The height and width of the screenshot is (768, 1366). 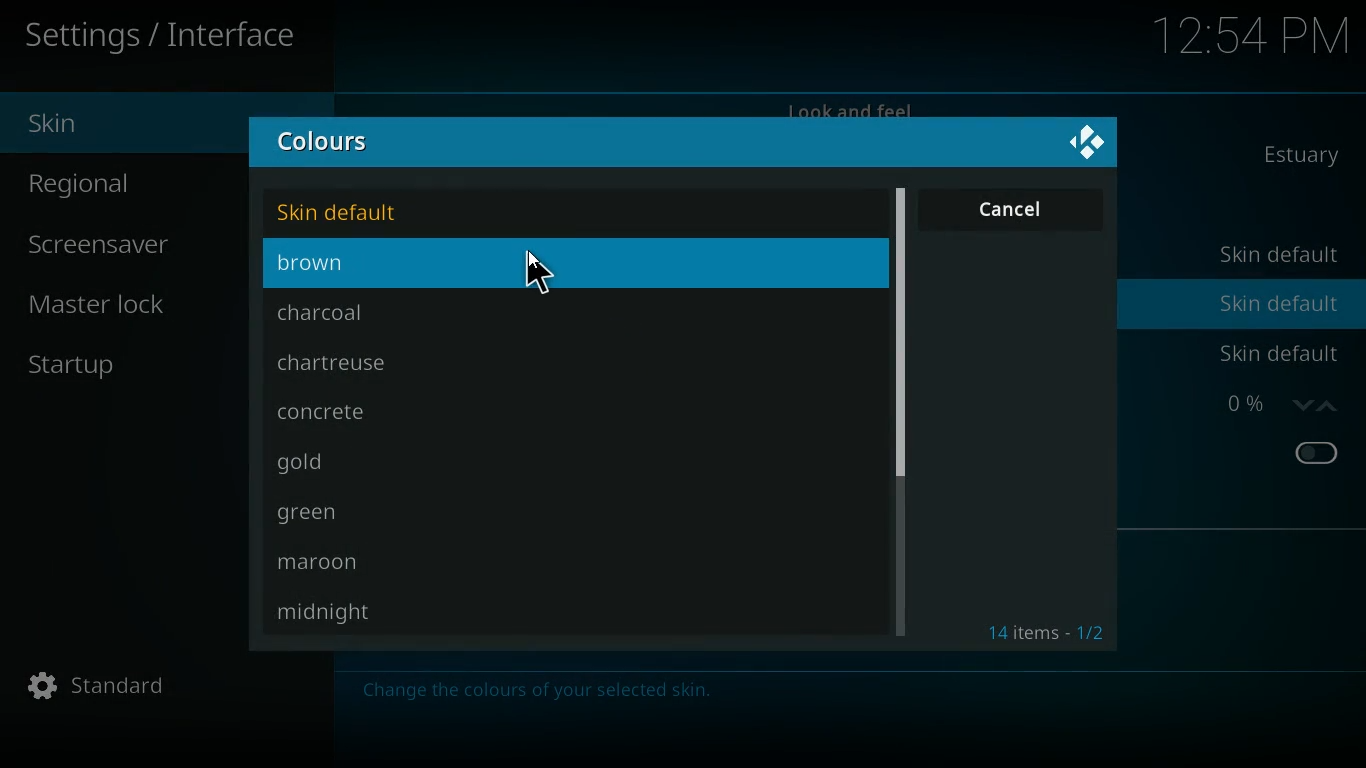 What do you see at coordinates (1316, 453) in the screenshot?
I see `off` at bounding box center [1316, 453].